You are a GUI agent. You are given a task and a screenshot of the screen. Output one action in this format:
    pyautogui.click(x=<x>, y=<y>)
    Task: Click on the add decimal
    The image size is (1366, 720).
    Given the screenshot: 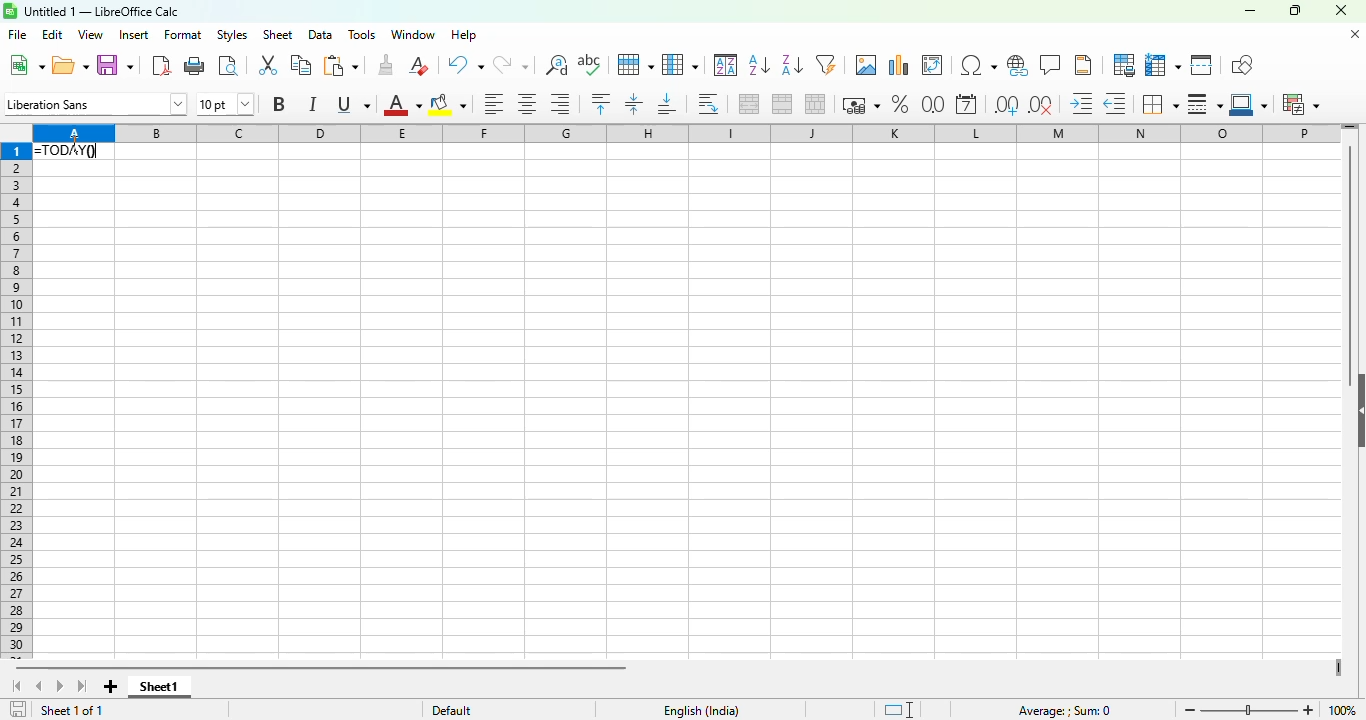 What is the action you would take?
    pyautogui.click(x=1006, y=105)
    